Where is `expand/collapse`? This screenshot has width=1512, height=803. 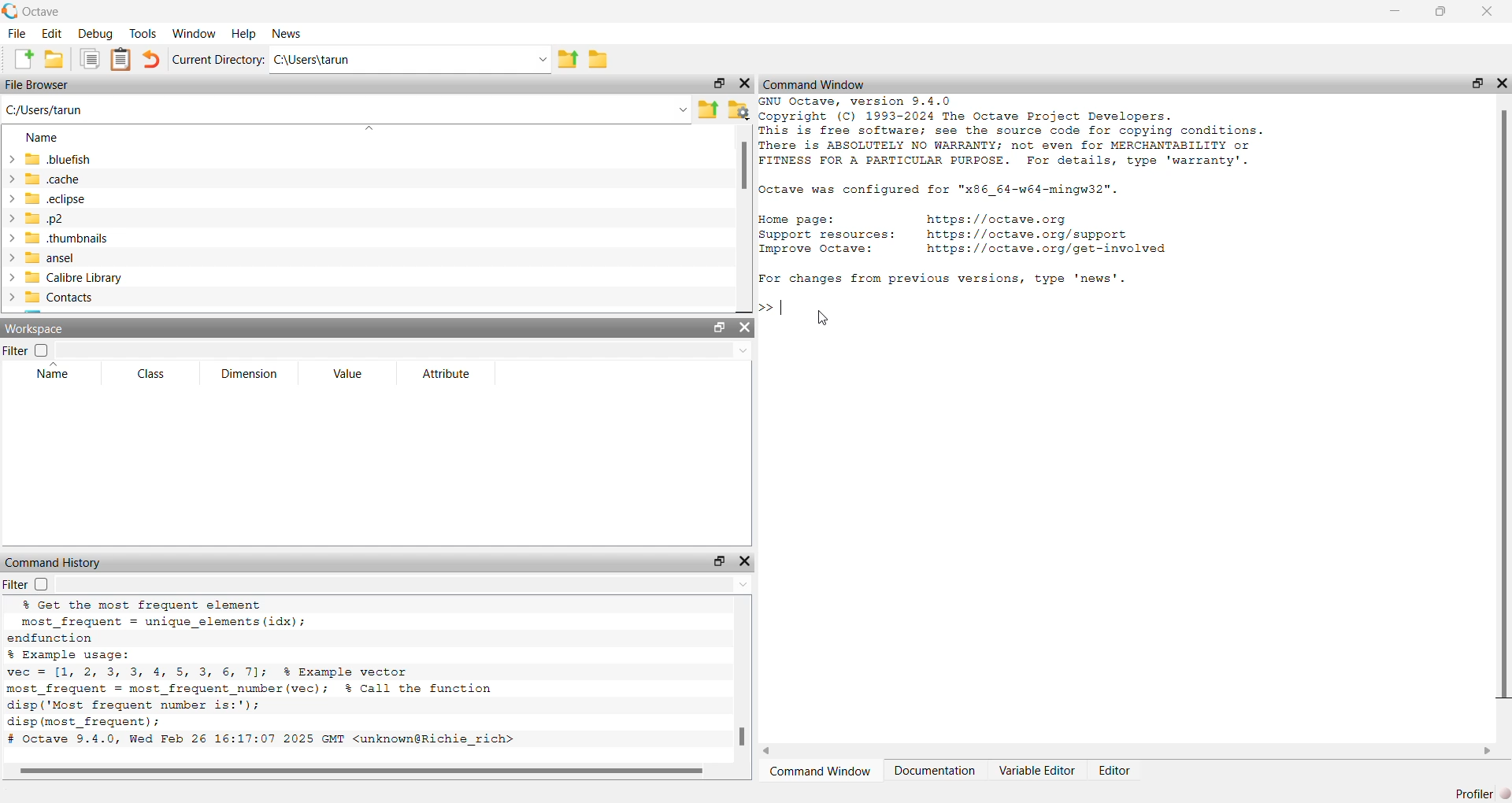
expand/collapse is located at coordinates (11, 277).